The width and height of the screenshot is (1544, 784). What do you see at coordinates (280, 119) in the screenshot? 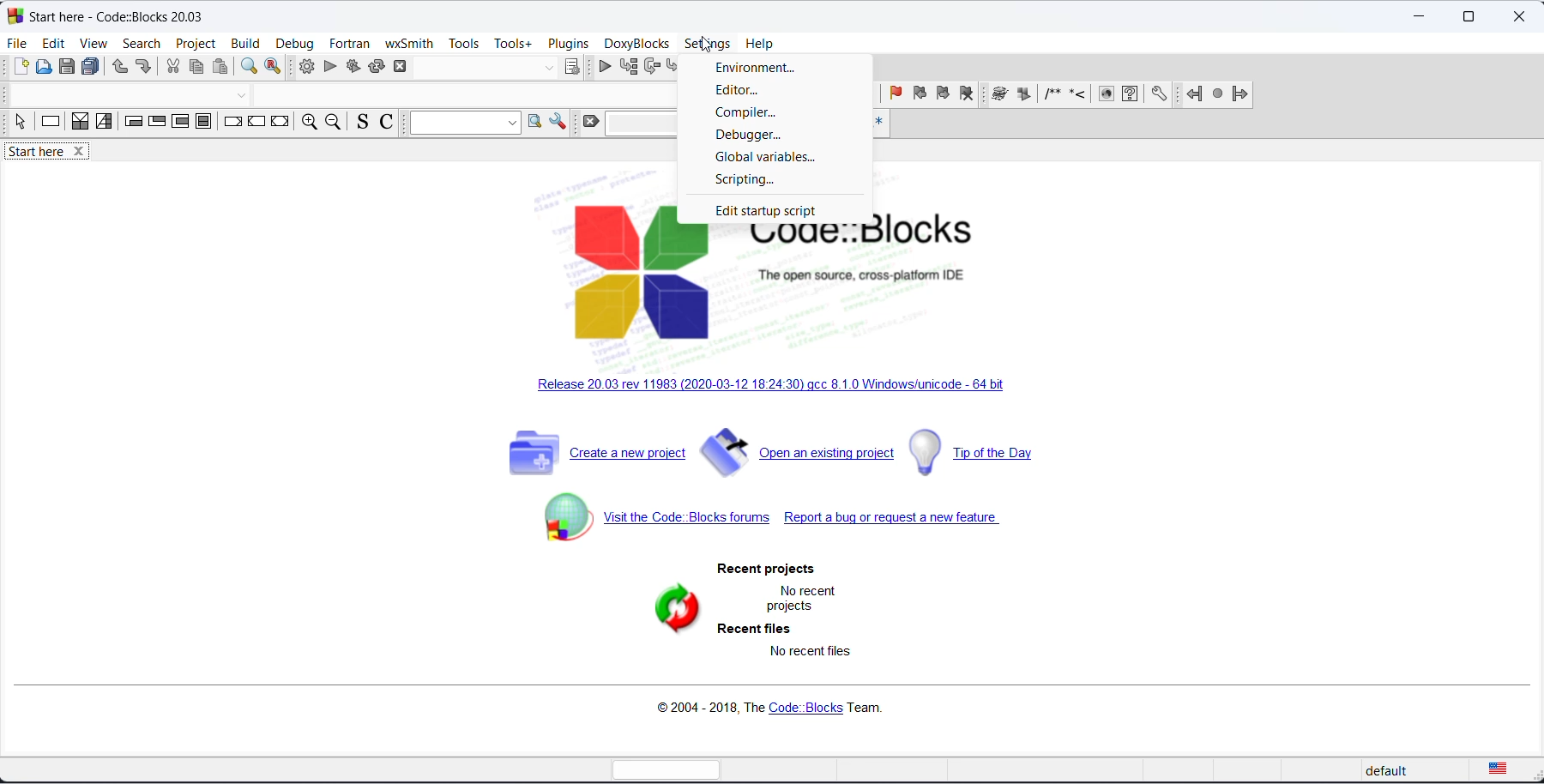
I see `return instruction` at bounding box center [280, 119].